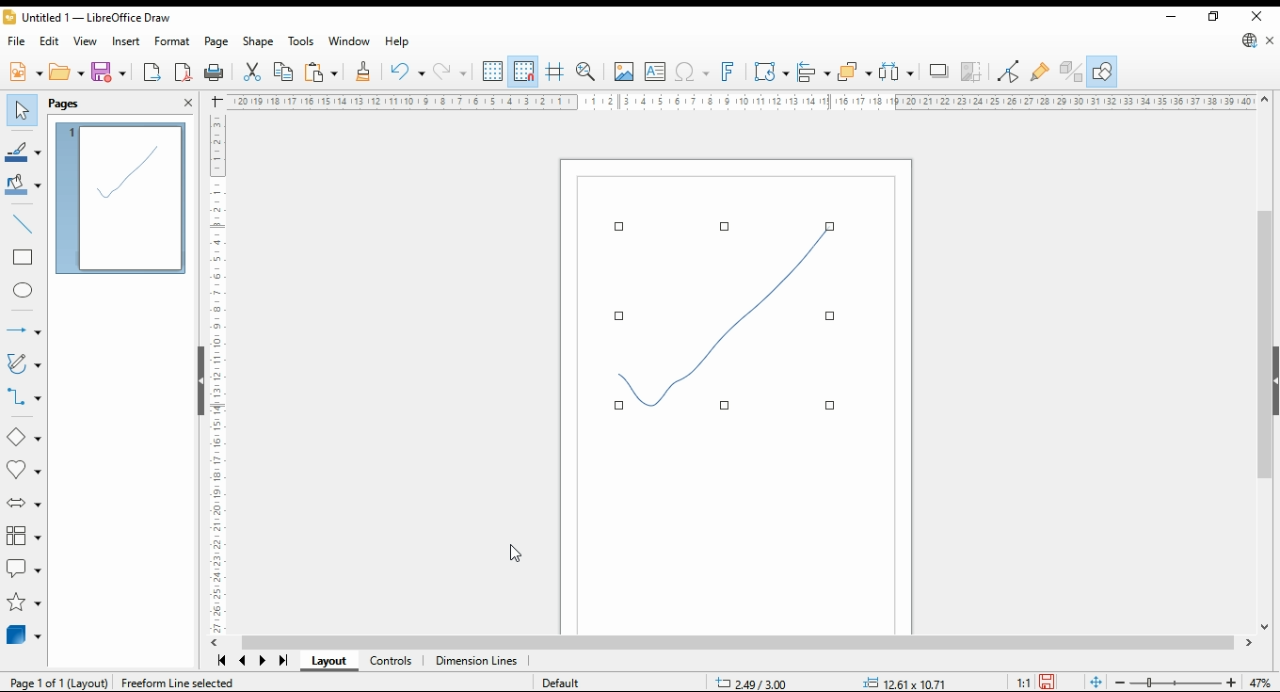 Image resolution: width=1280 pixels, height=692 pixels. I want to click on previous page, so click(242, 661).